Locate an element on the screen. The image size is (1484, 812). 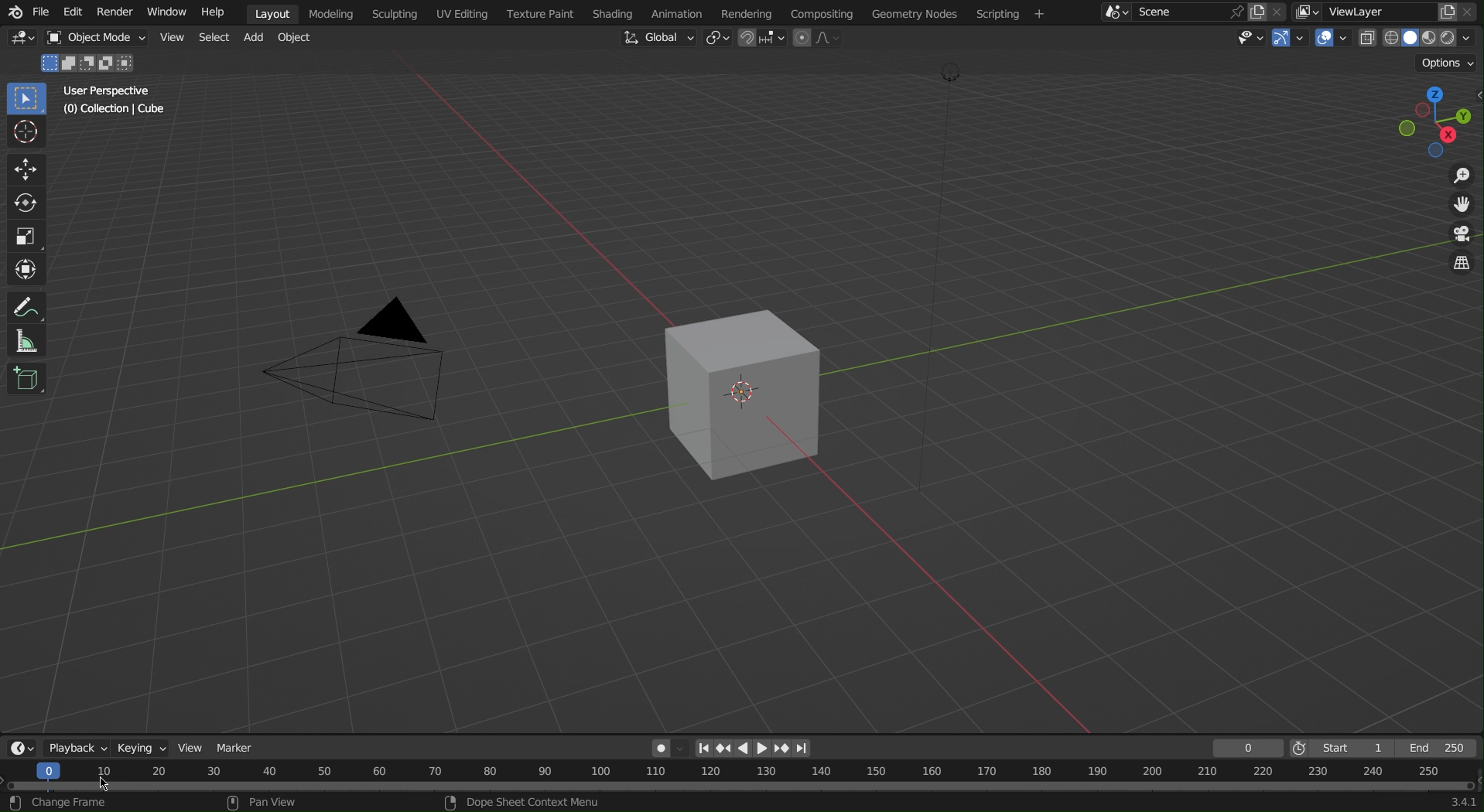
Select Box is located at coordinates (28, 97).